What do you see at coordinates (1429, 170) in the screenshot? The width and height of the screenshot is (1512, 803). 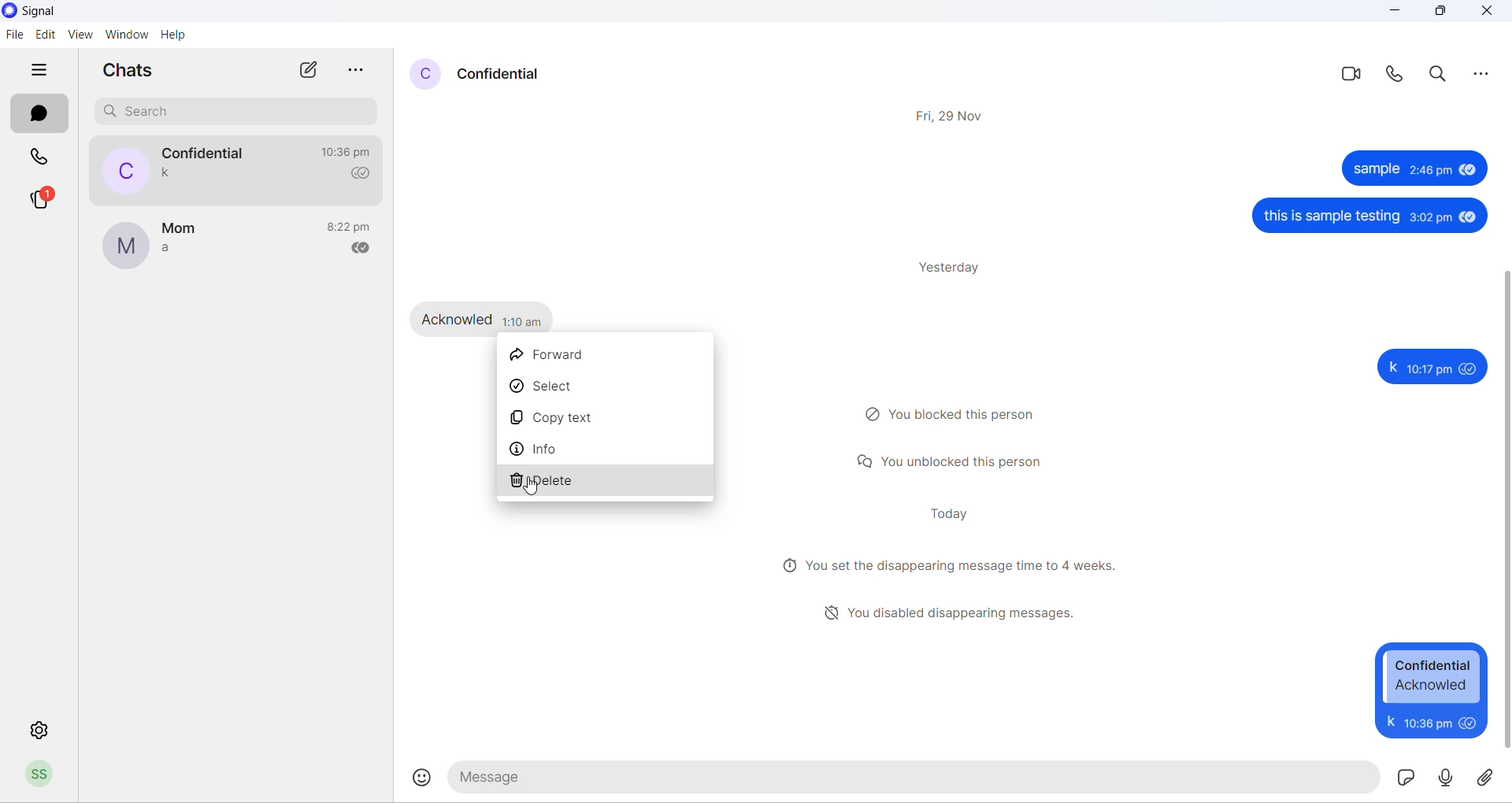 I see `2:46 pm` at bounding box center [1429, 170].